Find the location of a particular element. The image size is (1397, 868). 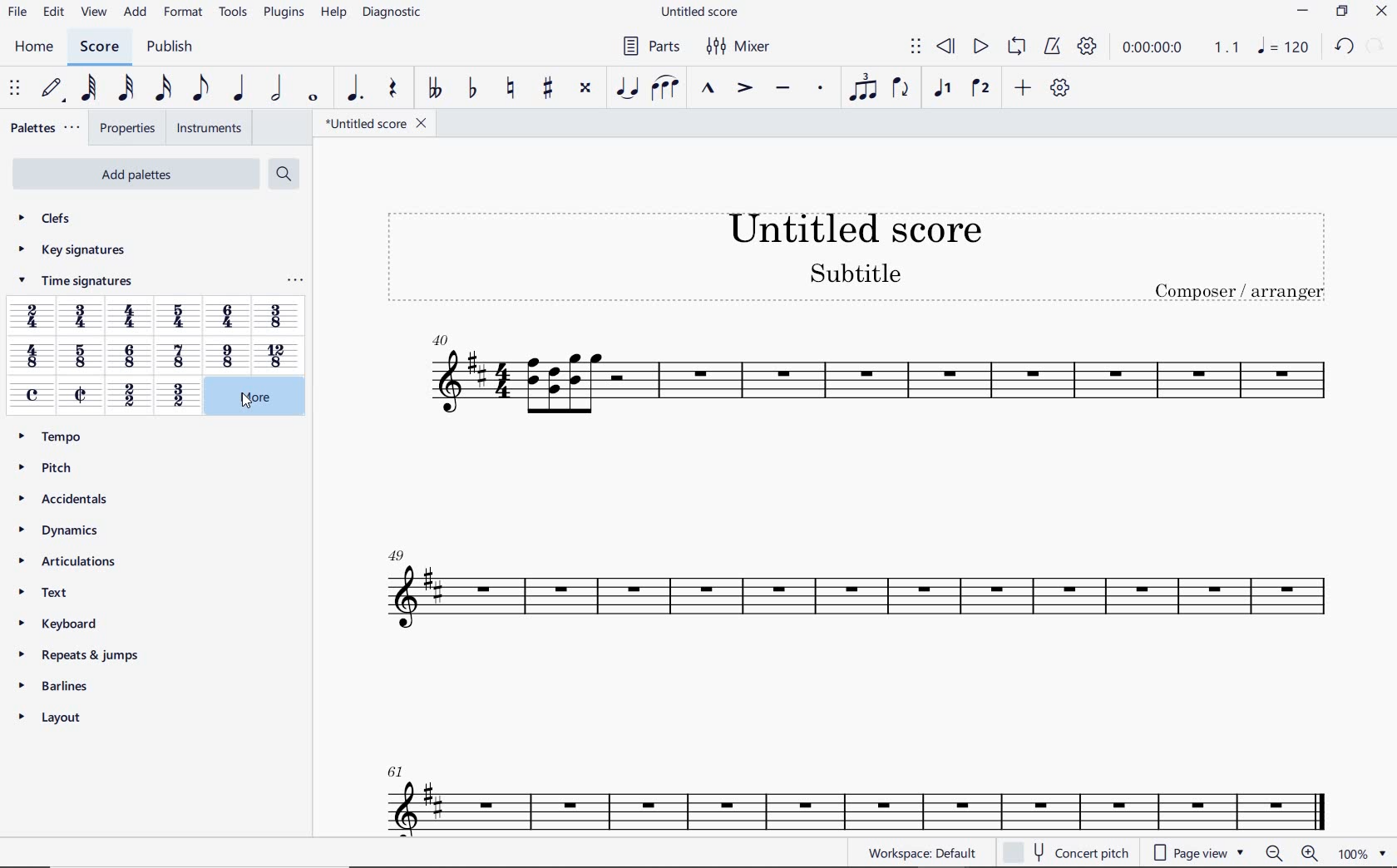

7/8 is located at coordinates (179, 358).